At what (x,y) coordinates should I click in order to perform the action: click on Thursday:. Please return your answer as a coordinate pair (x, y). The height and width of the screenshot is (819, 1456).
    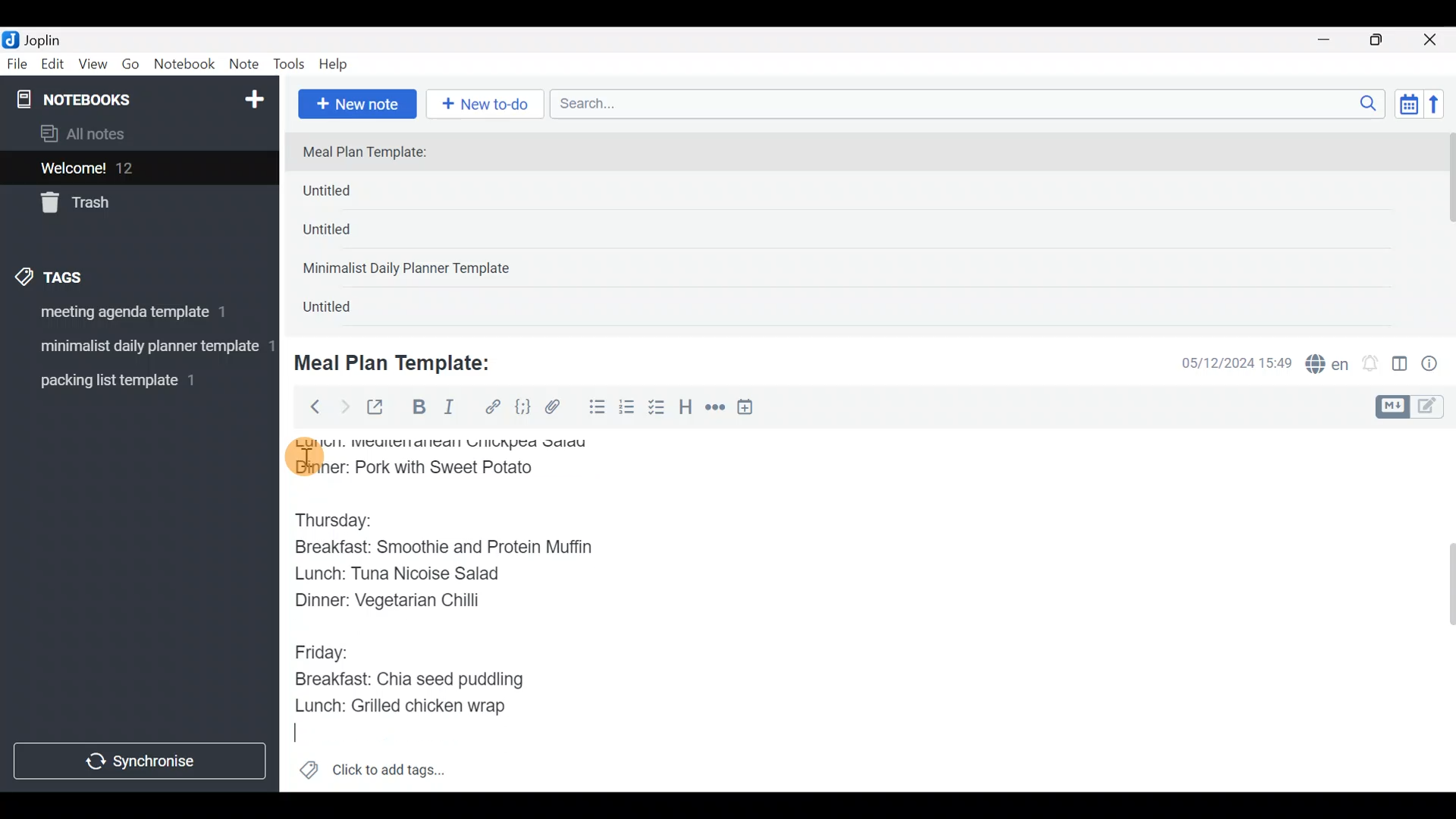
    Looking at the image, I should click on (344, 521).